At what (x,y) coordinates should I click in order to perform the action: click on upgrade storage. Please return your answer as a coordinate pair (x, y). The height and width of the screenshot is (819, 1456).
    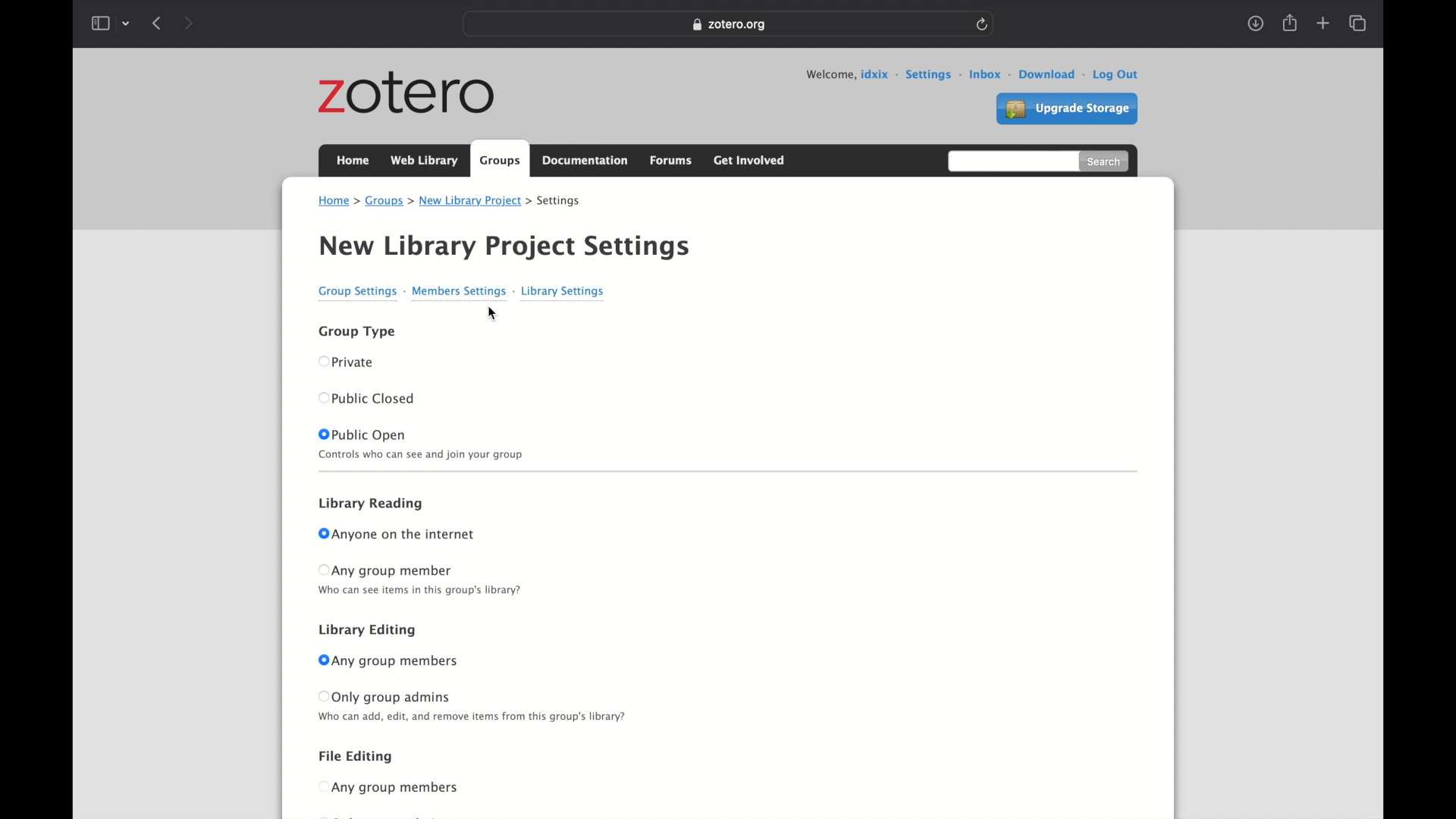
    Looking at the image, I should click on (1066, 110).